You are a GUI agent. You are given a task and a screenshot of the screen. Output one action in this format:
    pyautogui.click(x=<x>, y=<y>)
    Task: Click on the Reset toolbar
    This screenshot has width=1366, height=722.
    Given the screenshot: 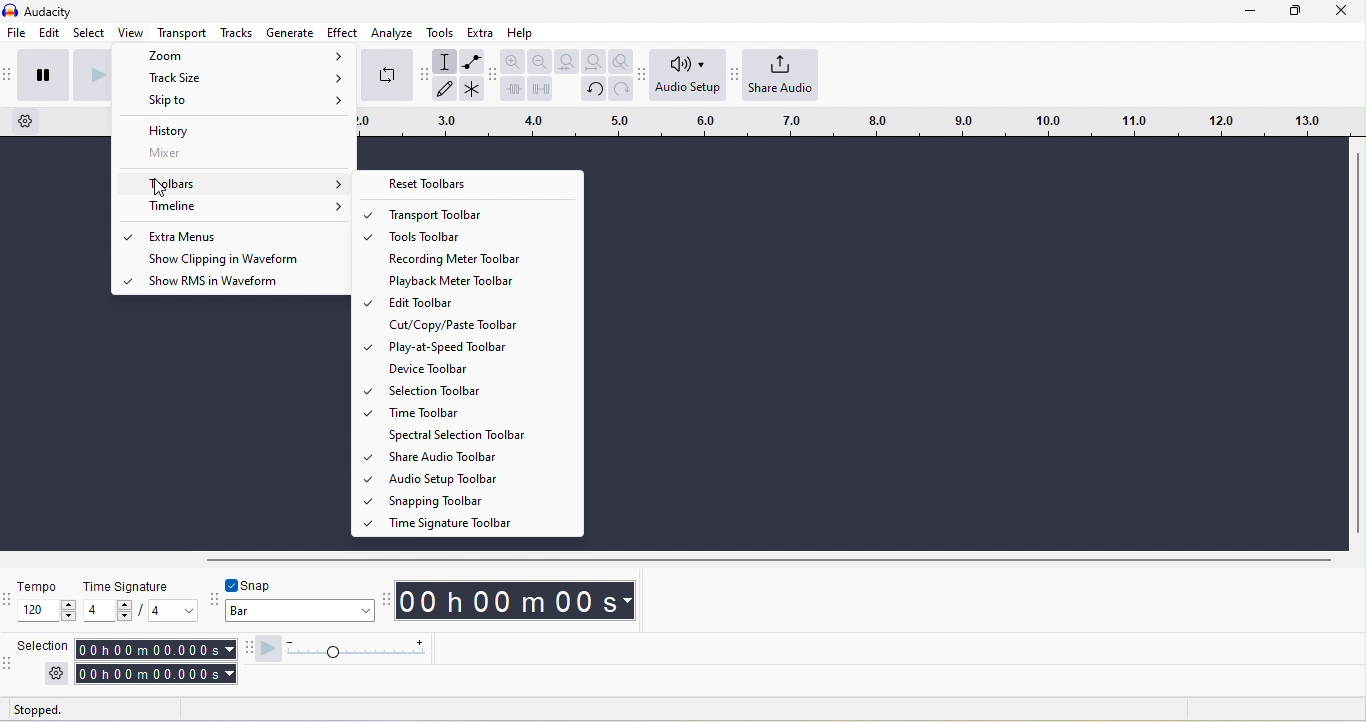 What is the action you would take?
    pyautogui.click(x=468, y=184)
    